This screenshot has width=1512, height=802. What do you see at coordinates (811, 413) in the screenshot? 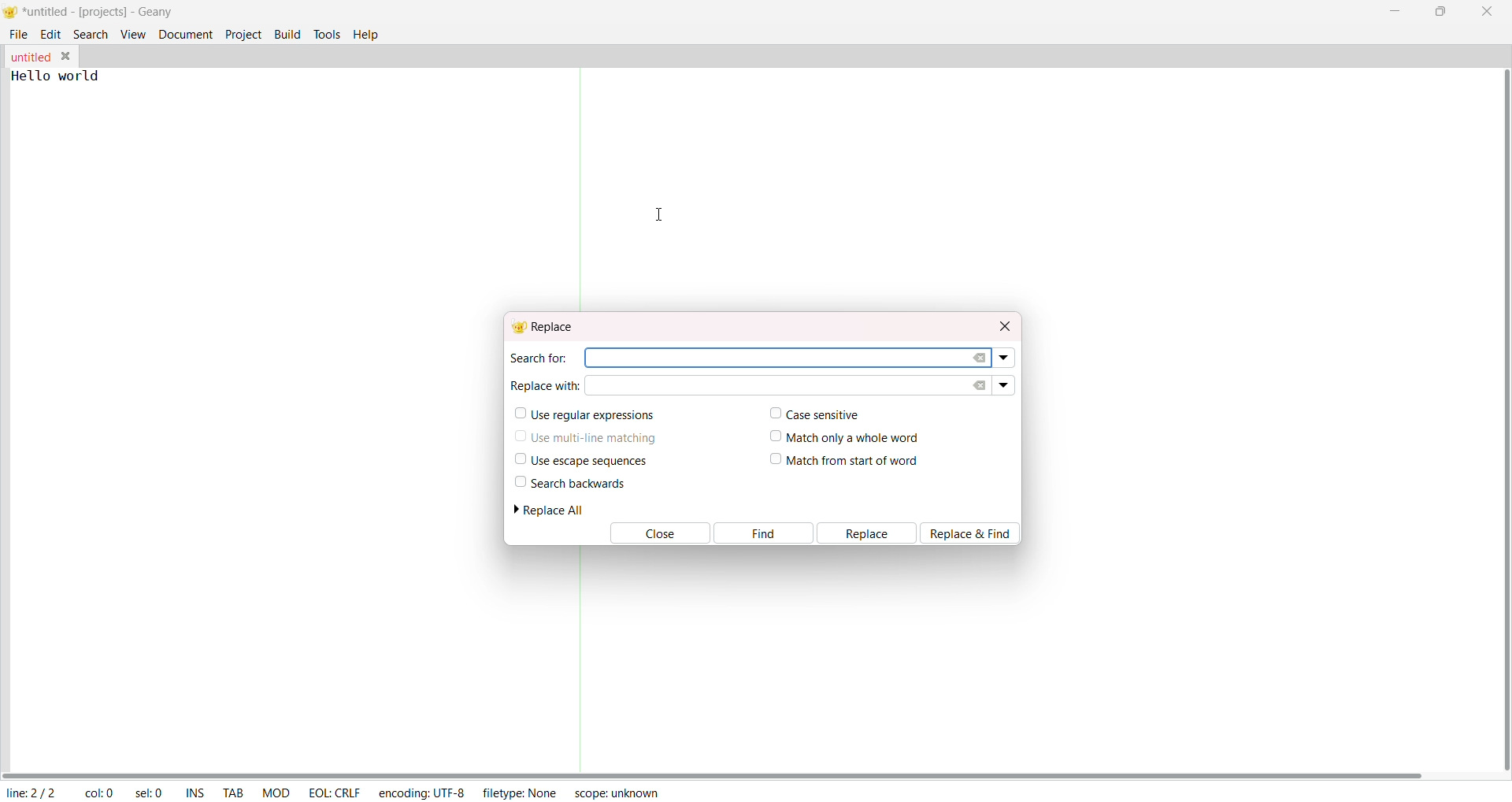
I see `case sensitive` at bounding box center [811, 413].